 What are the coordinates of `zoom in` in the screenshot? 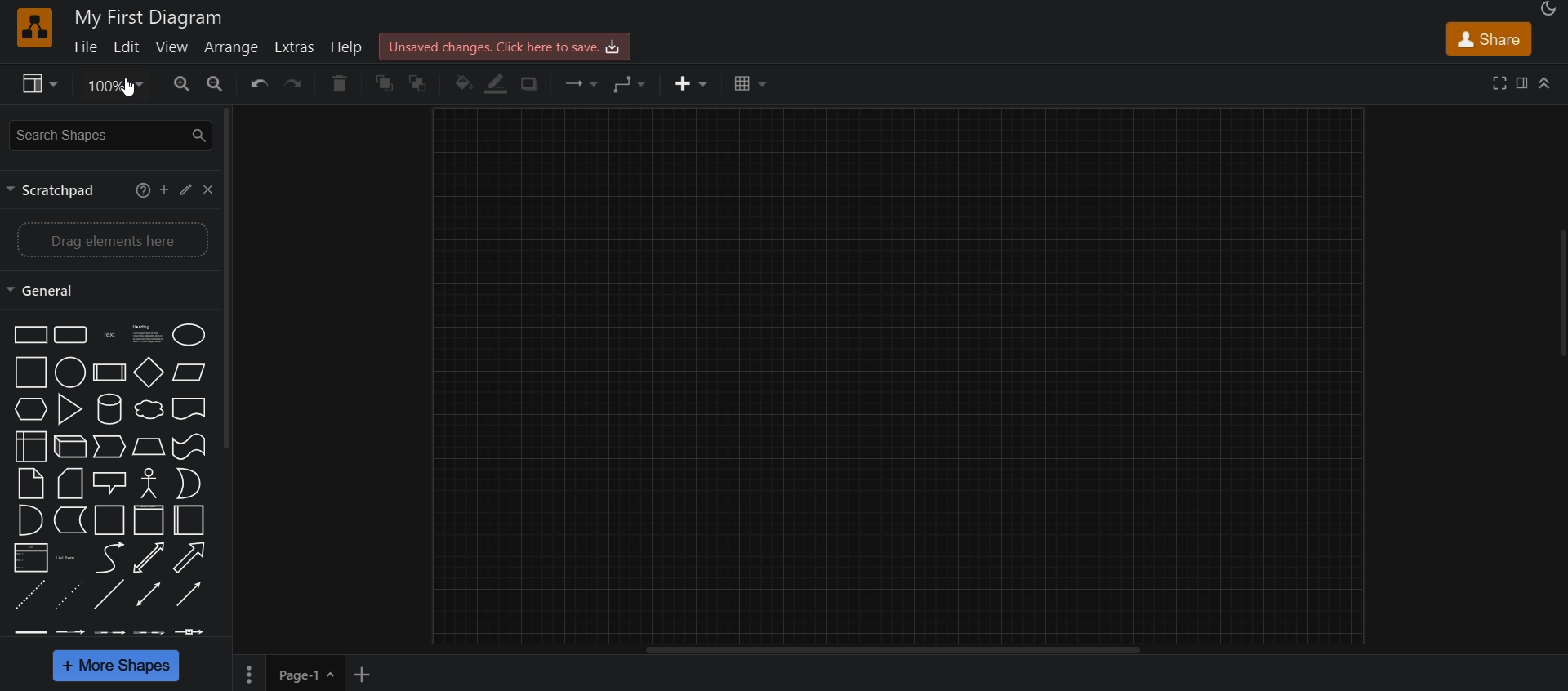 It's located at (221, 83).